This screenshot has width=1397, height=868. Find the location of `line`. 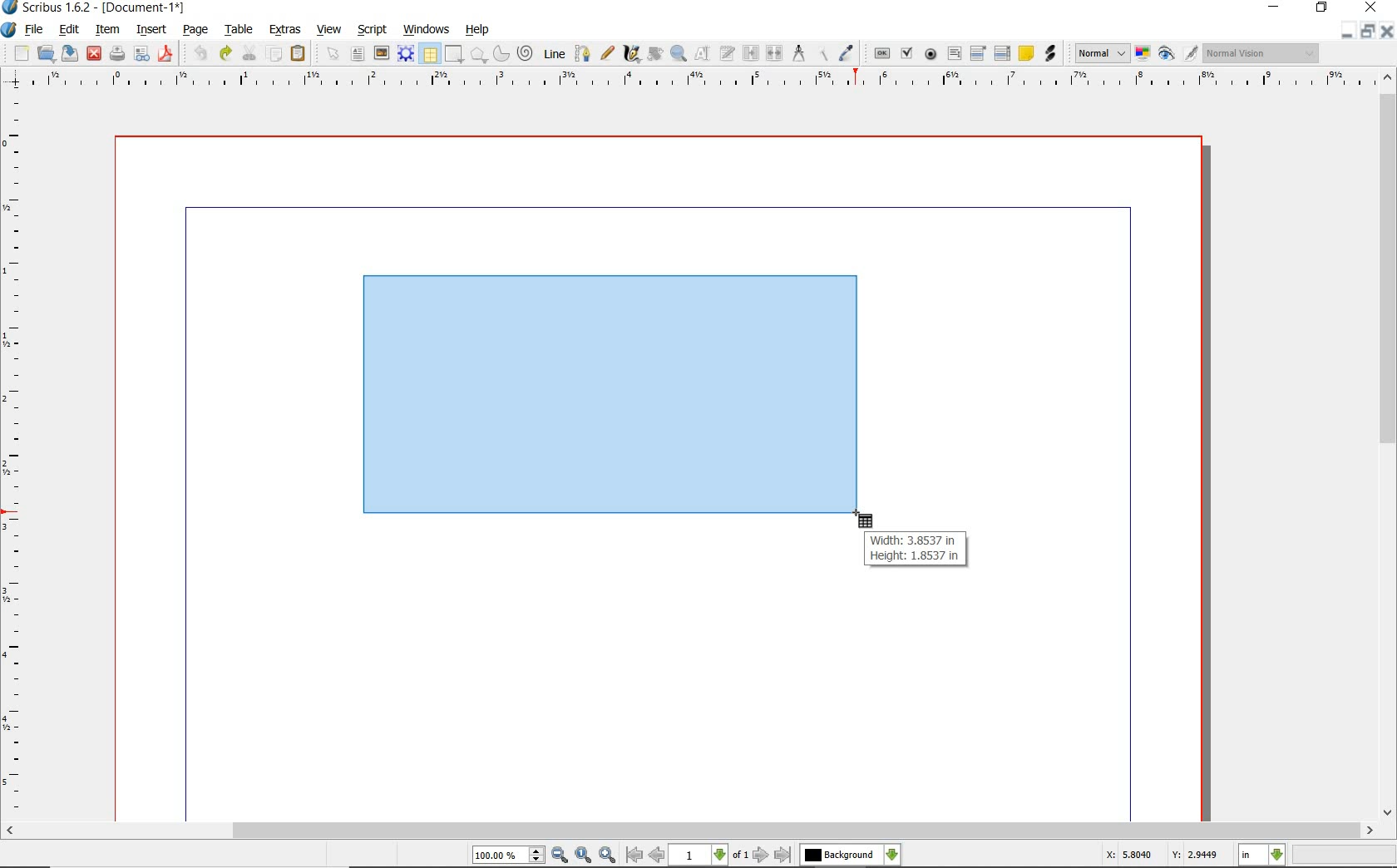

line is located at coordinates (555, 52).